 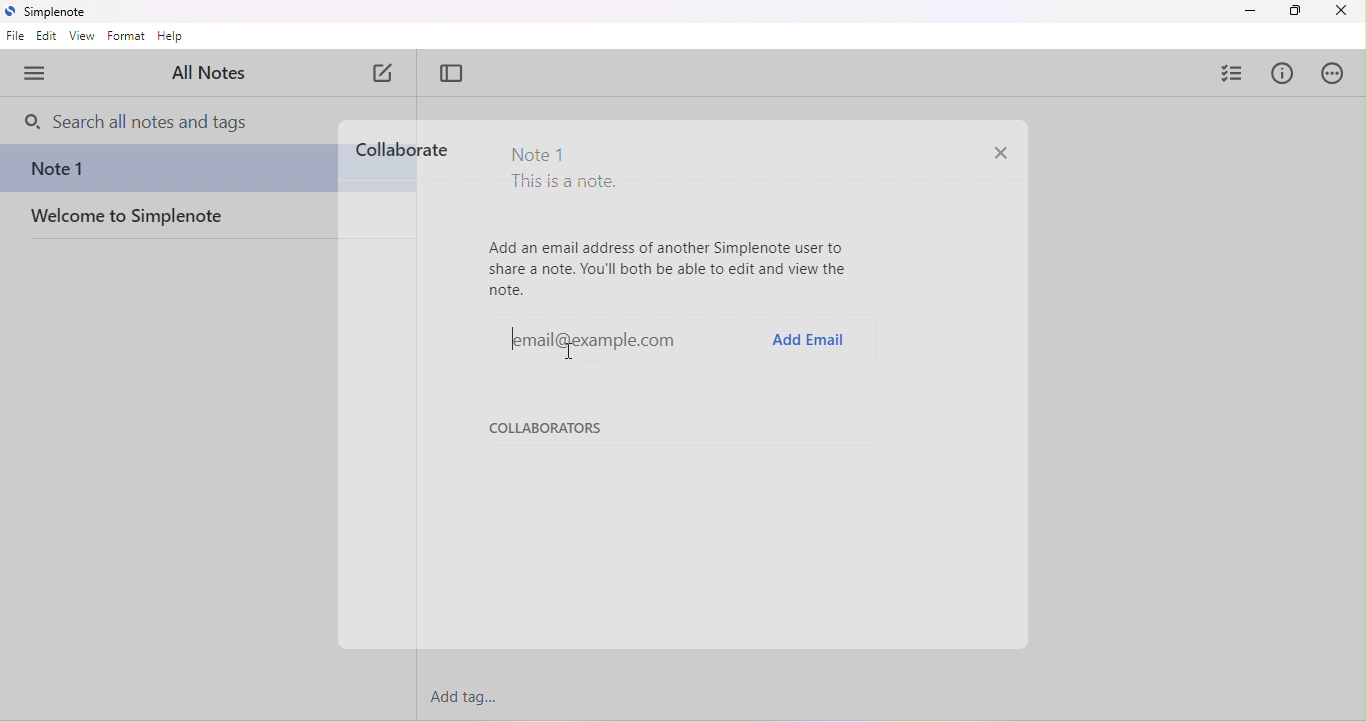 I want to click on search bar, so click(x=148, y=122).